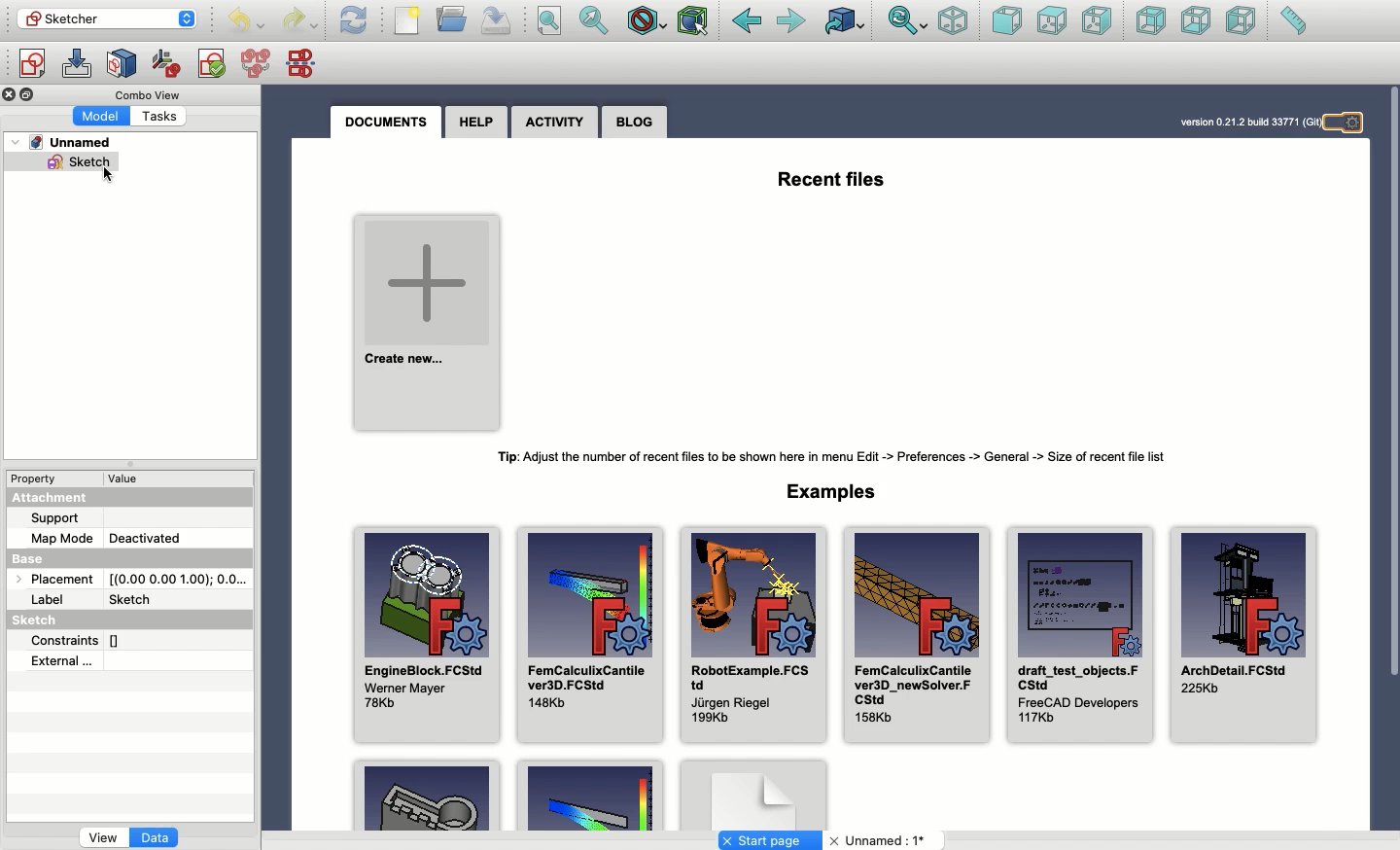 The width and height of the screenshot is (1400, 850). I want to click on Top, so click(1052, 21).